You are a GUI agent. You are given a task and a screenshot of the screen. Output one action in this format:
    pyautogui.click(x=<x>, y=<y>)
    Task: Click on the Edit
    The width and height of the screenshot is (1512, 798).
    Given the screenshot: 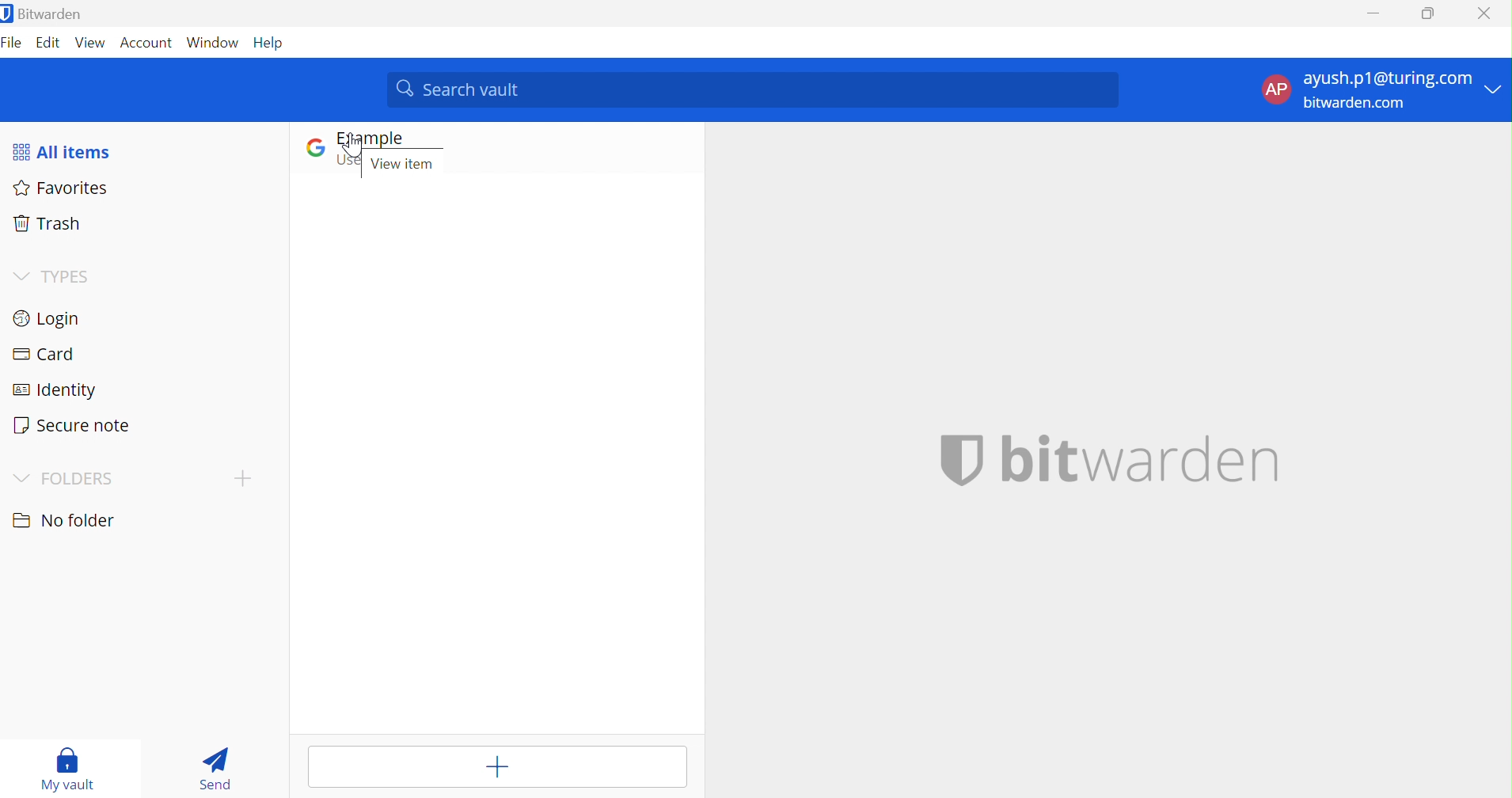 What is the action you would take?
    pyautogui.click(x=48, y=44)
    